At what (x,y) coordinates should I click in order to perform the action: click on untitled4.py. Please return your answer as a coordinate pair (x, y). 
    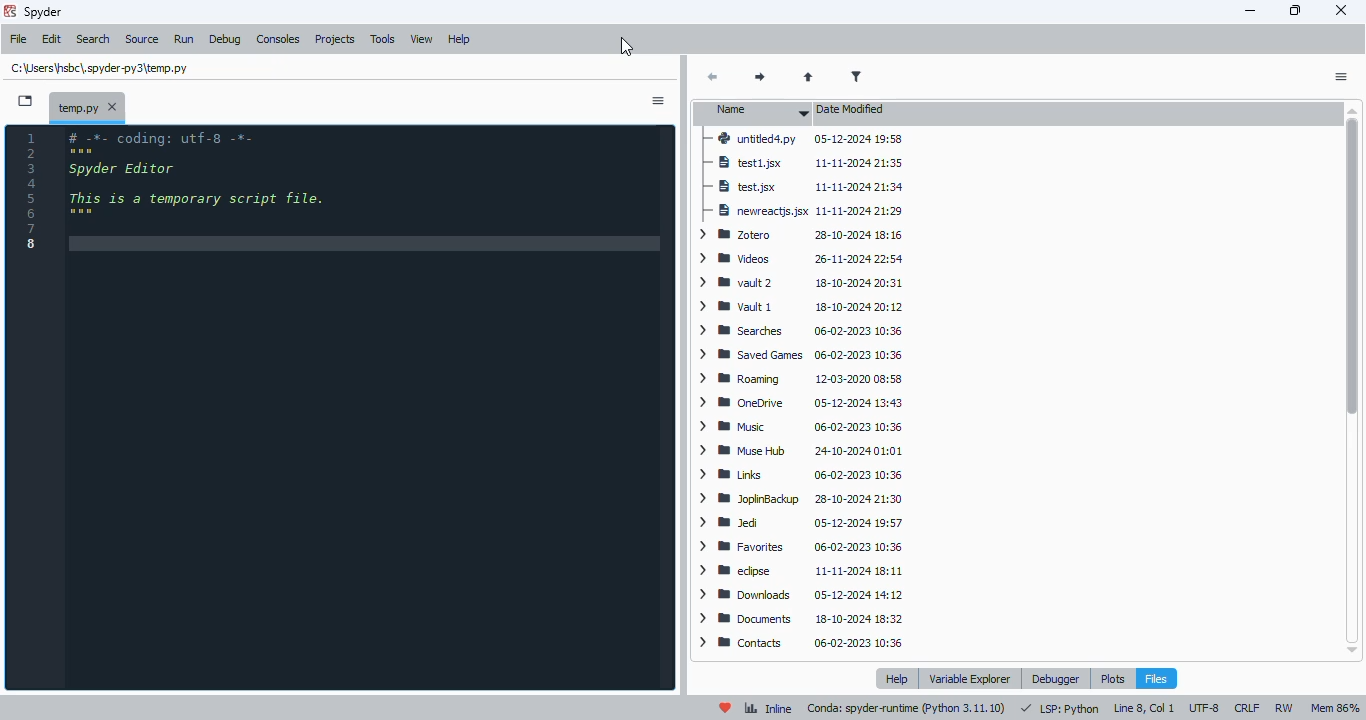
    Looking at the image, I should click on (800, 140).